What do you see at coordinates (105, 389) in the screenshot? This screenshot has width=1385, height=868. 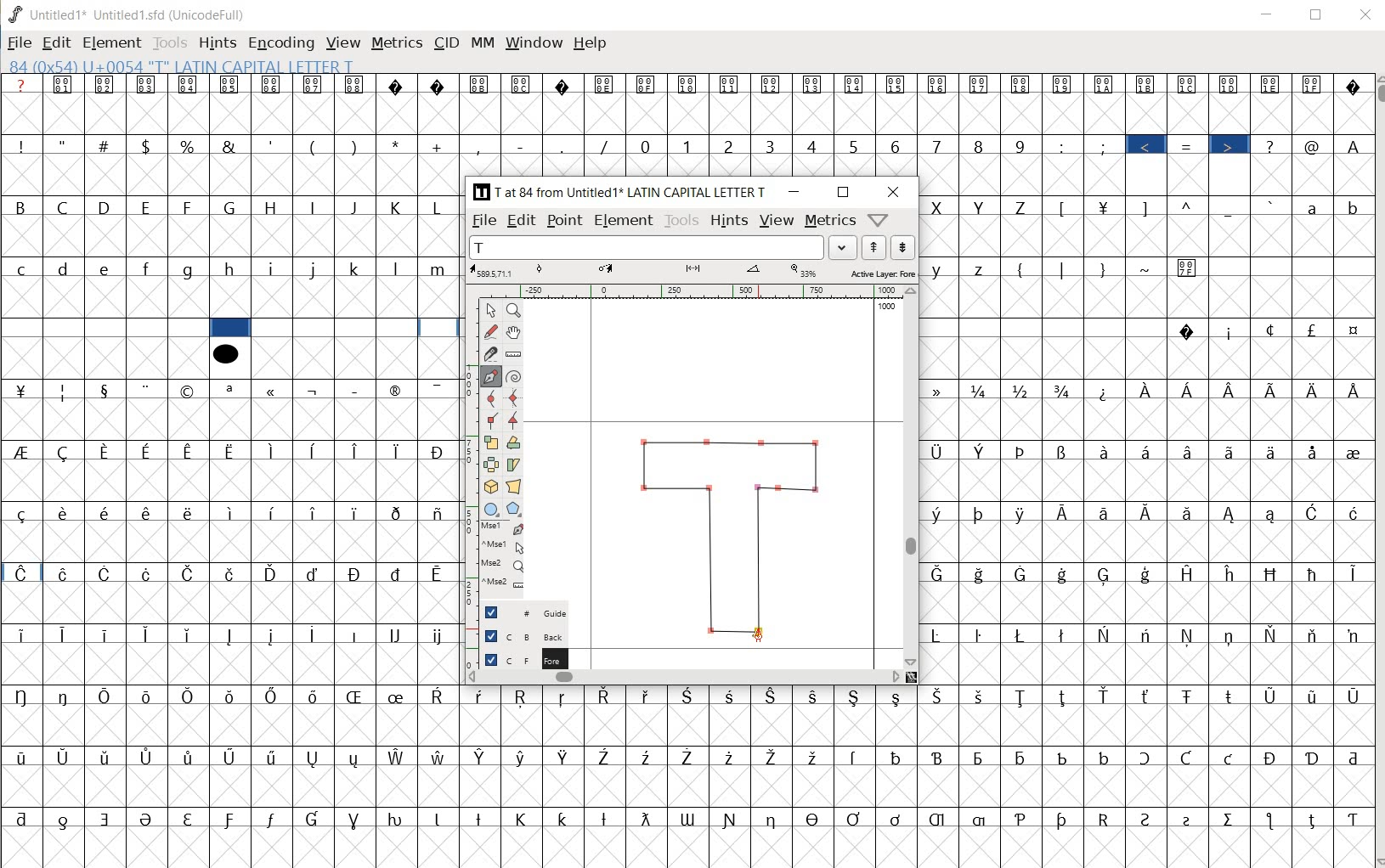 I see `Symbol` at bounding box center [105, 389].